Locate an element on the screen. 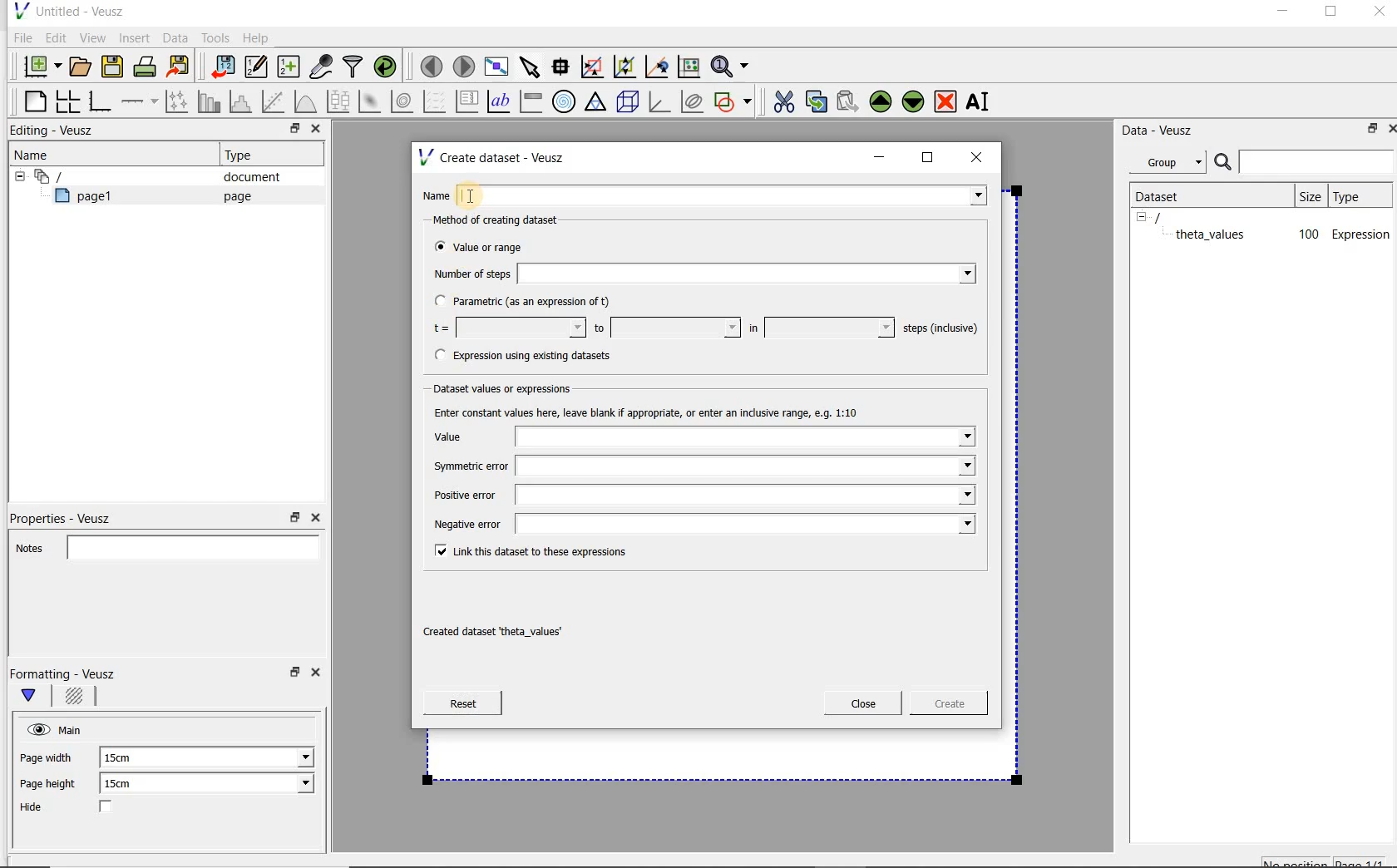  new document is located at coordinates (38, 64).